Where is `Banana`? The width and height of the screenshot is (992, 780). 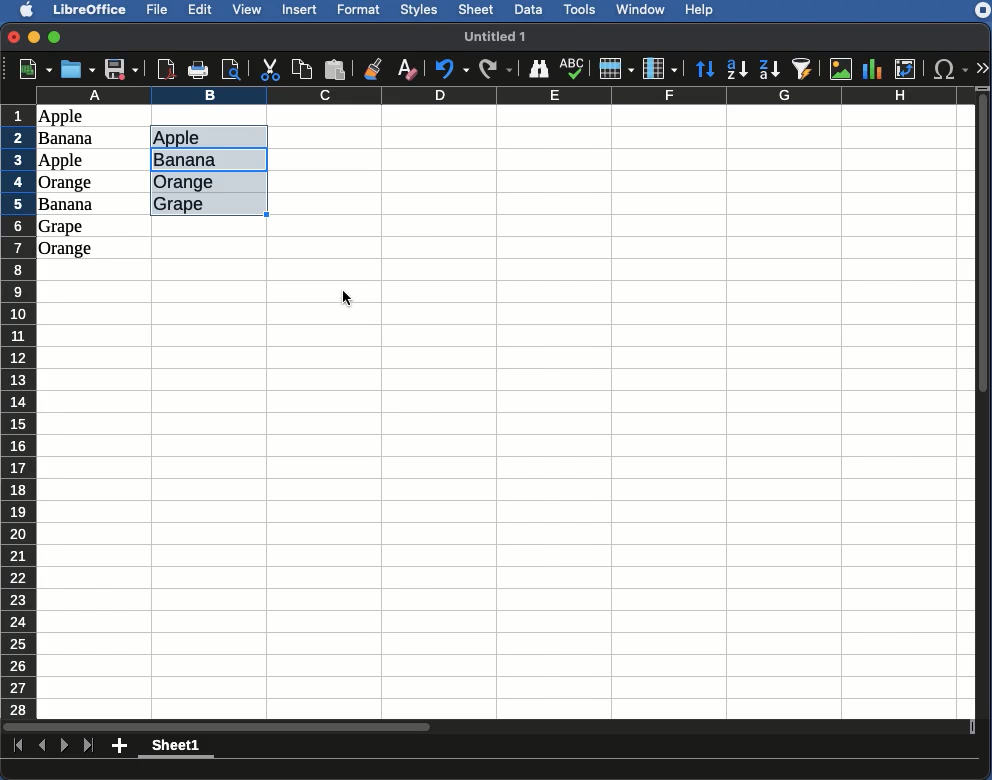
Banana is located at coordinates (71, 139).